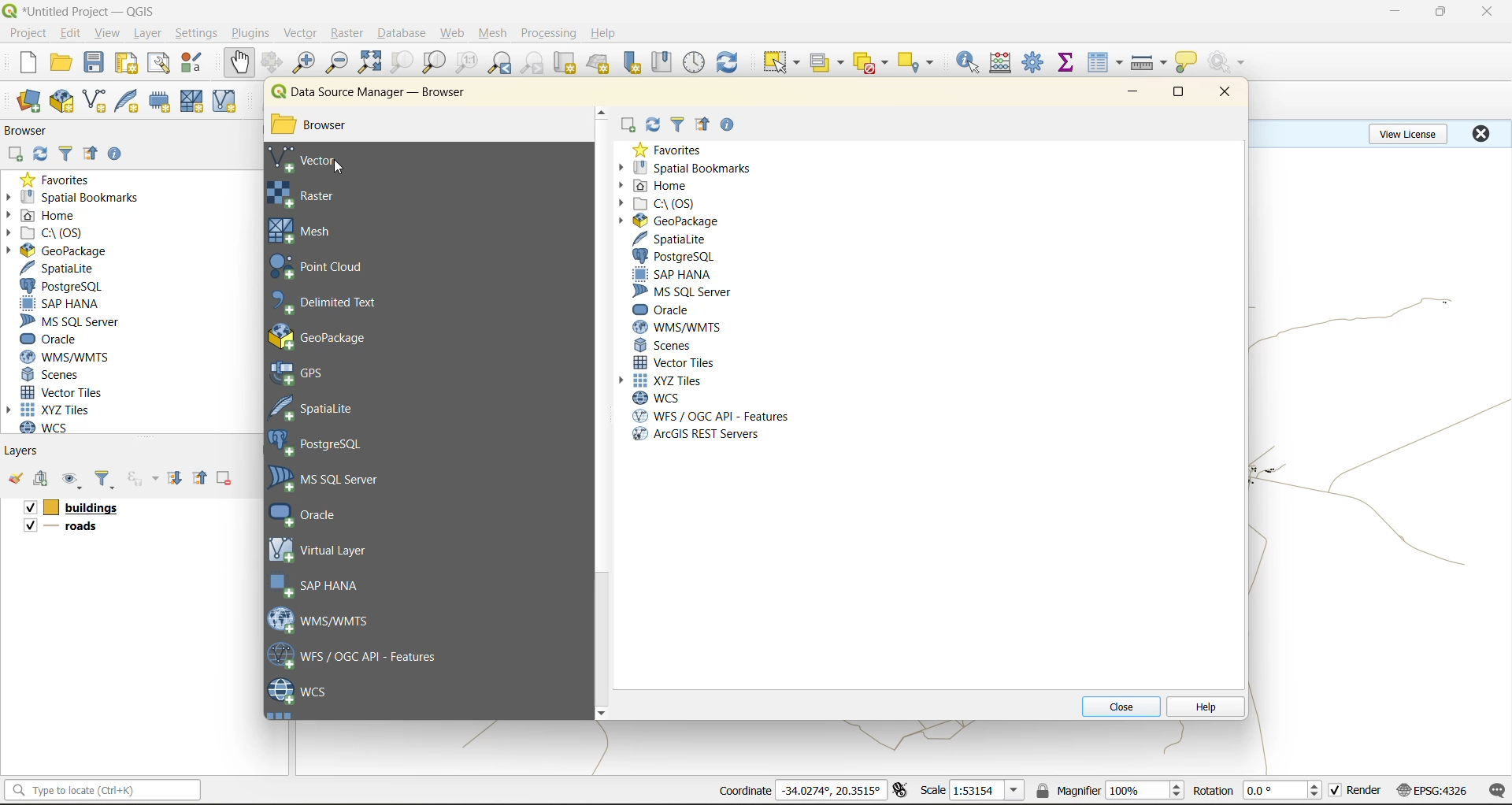 Image resolution: width=1512 pixels, height=805 pixels. Describe the element at coordinates (1366, 790) in the screenshot. I see `render` at that location.